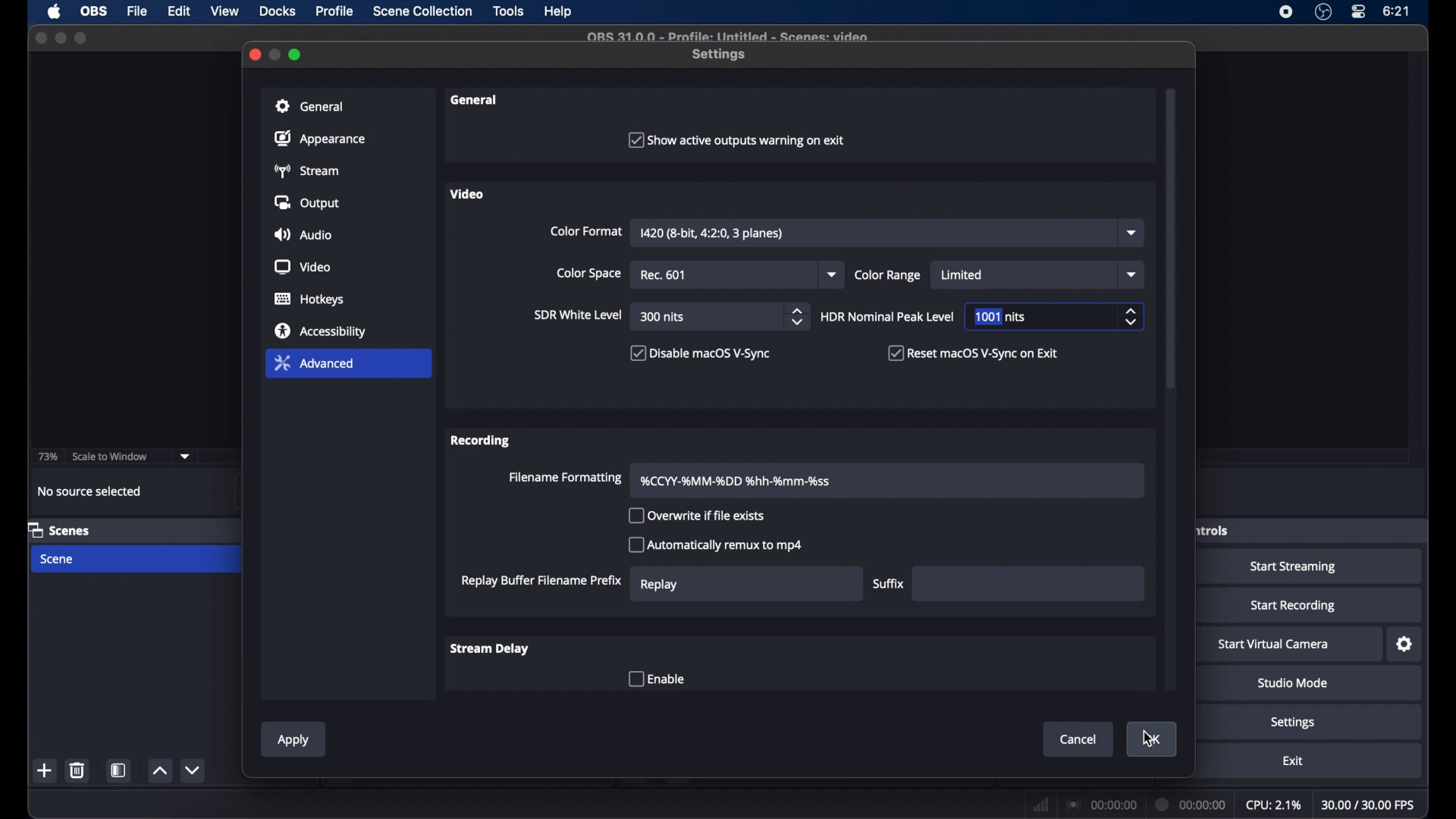  I want to click on apple icon, so click(54, 12).